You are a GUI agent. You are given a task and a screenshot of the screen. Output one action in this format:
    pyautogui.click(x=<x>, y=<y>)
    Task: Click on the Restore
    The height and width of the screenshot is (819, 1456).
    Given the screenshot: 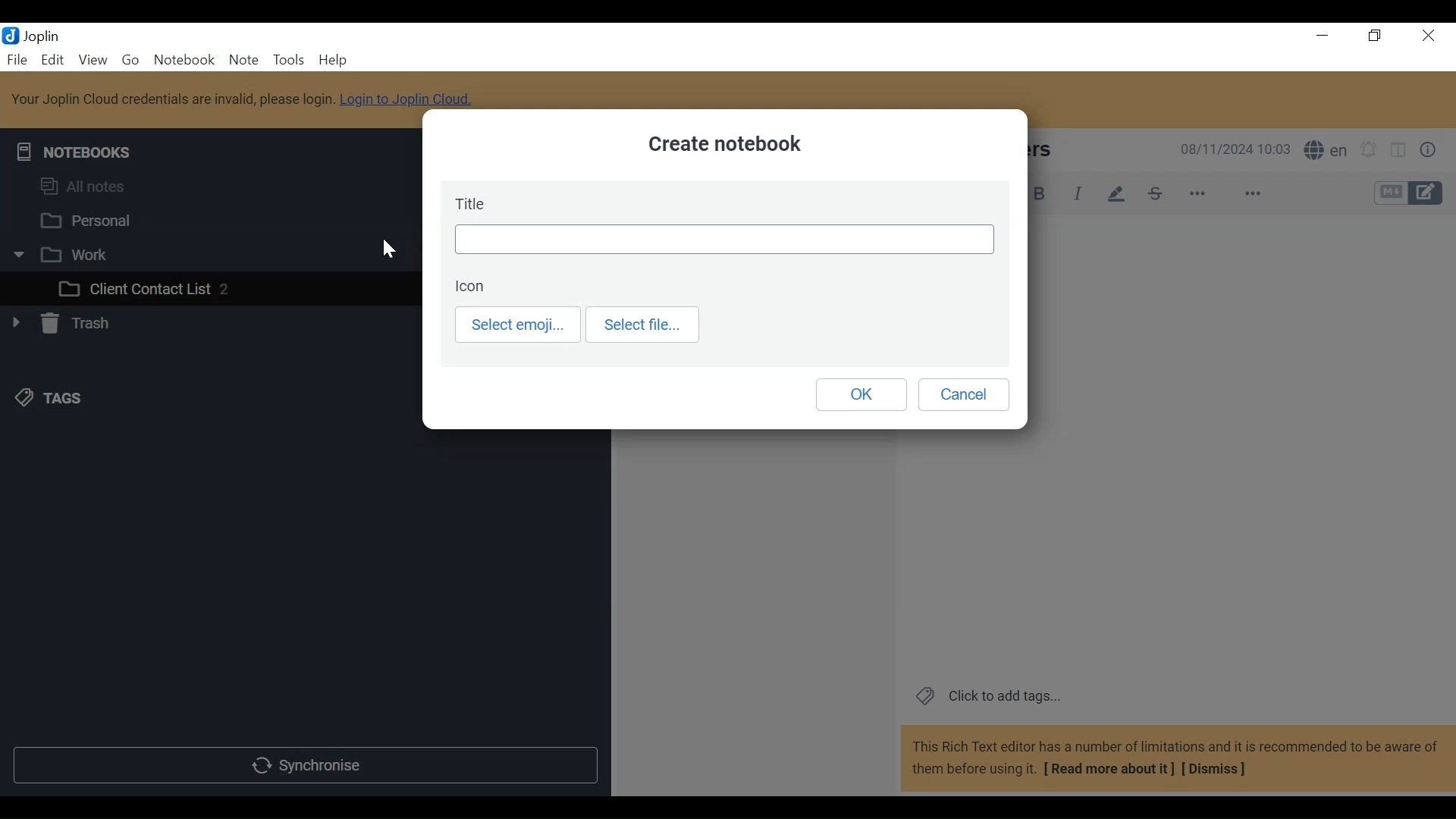 What is the action you would take?
    pyautogui.click(x=1376, y=35)
    